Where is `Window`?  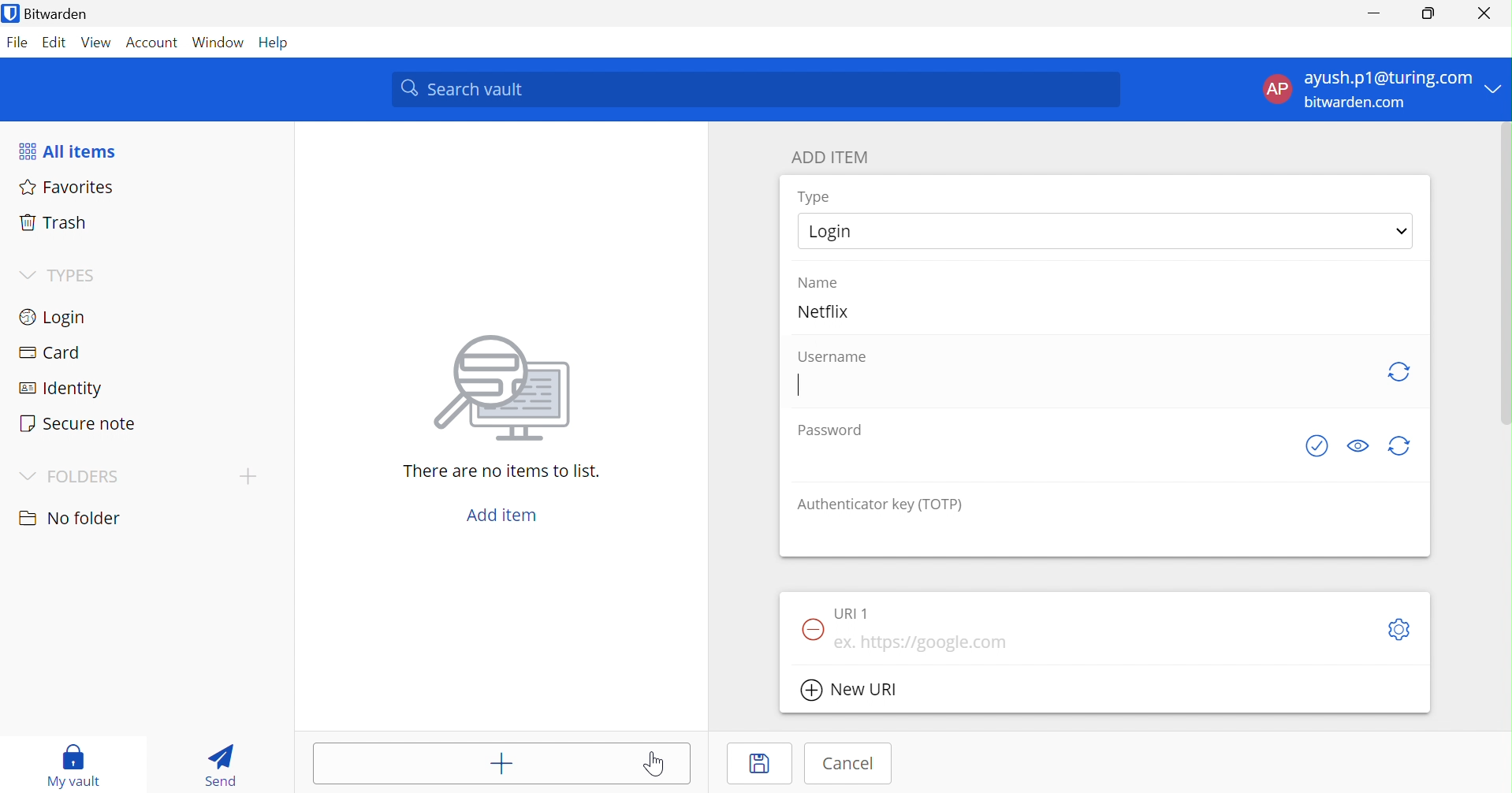 Window is located at coordinates (218, 43).